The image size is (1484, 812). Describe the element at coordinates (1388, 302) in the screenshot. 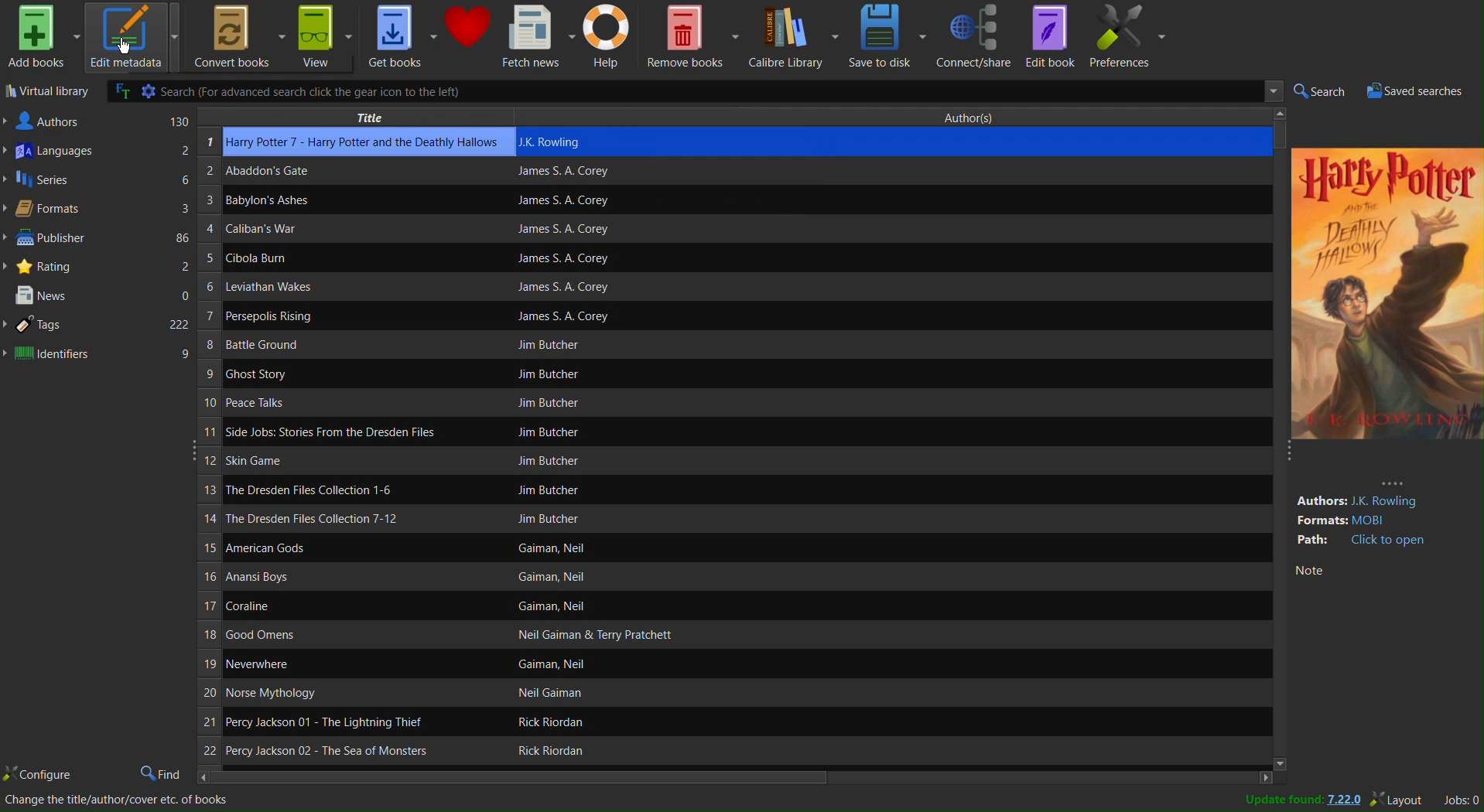

I see `Book preview` at that location.